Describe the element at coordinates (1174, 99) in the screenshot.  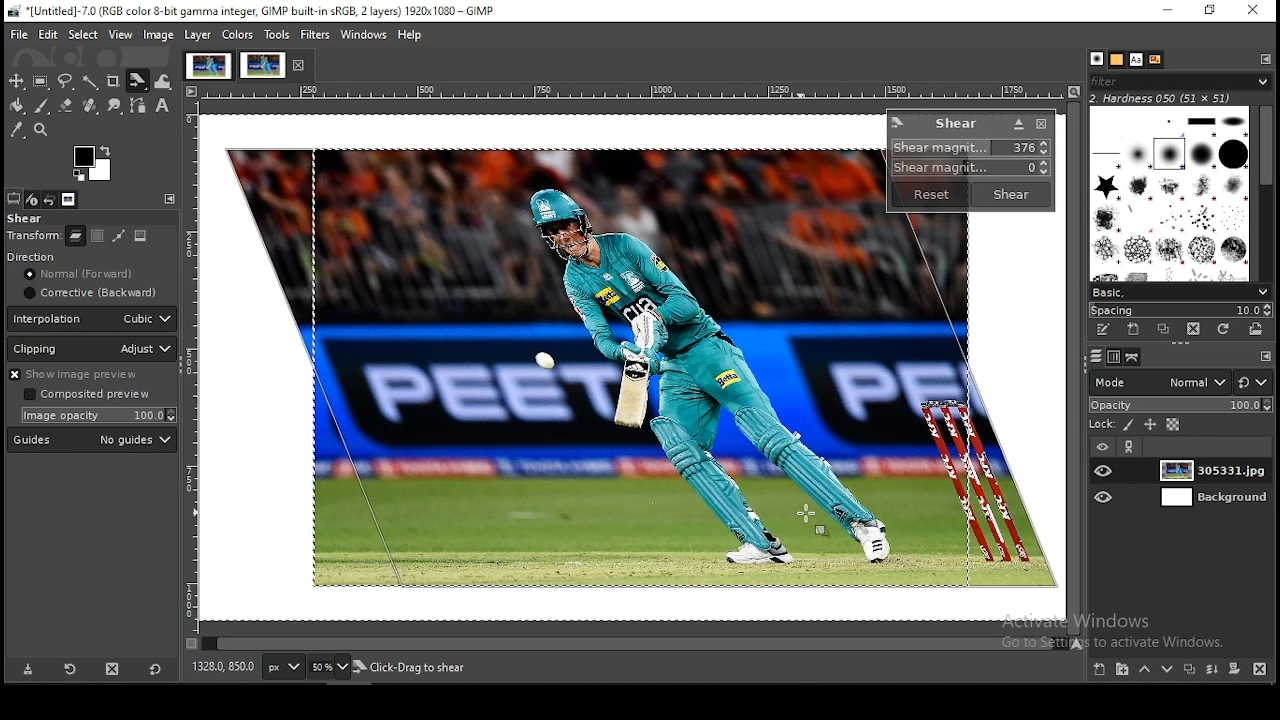
I see `hardness 050 (51x51)` at that location.